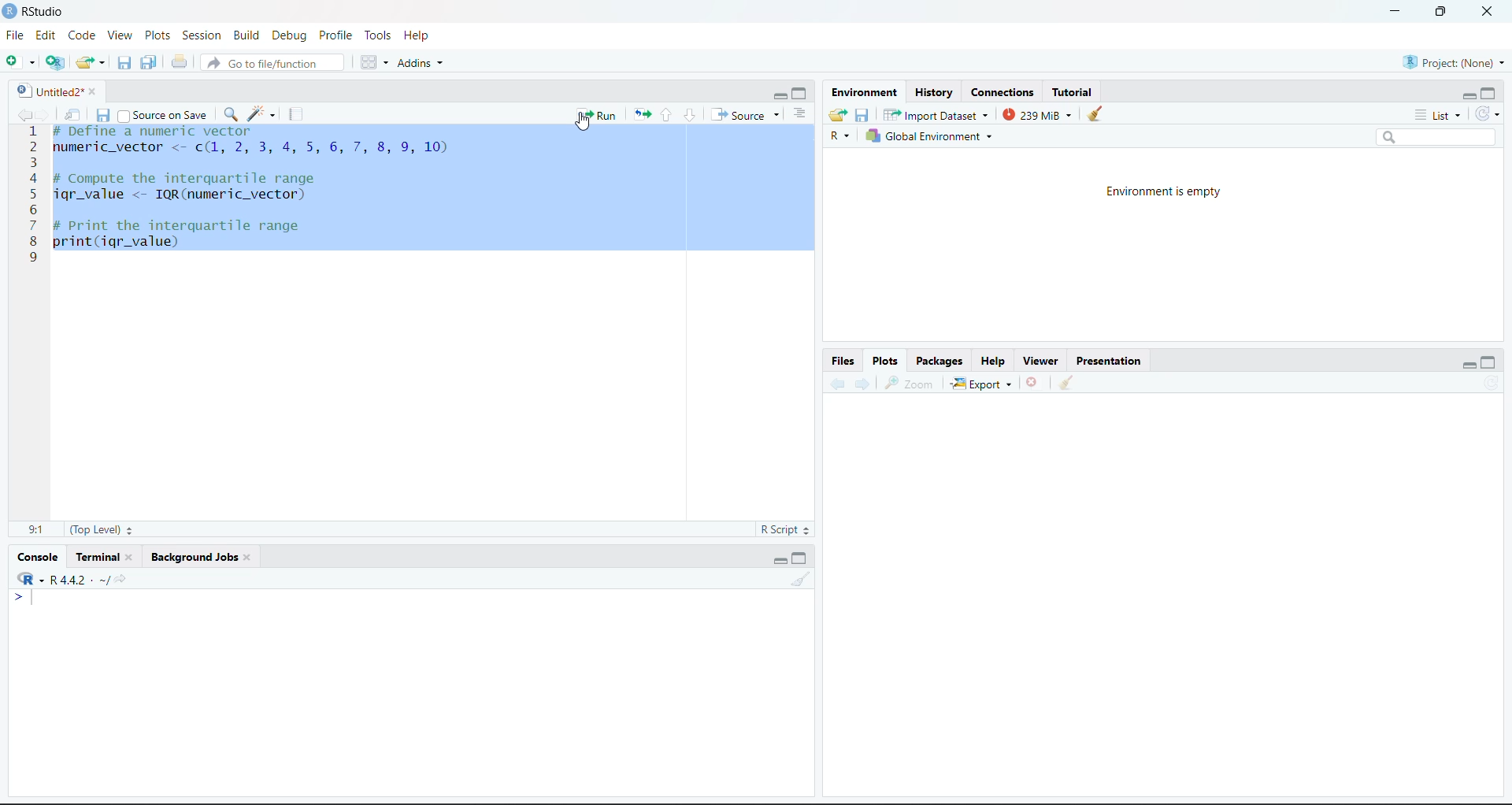 The height and width of the screenshot is (805, 1512). Describe the element at coordinates (805, 113) in the screenshot. I see `Show document outline (Ctrl + Shift + O)` at that location.